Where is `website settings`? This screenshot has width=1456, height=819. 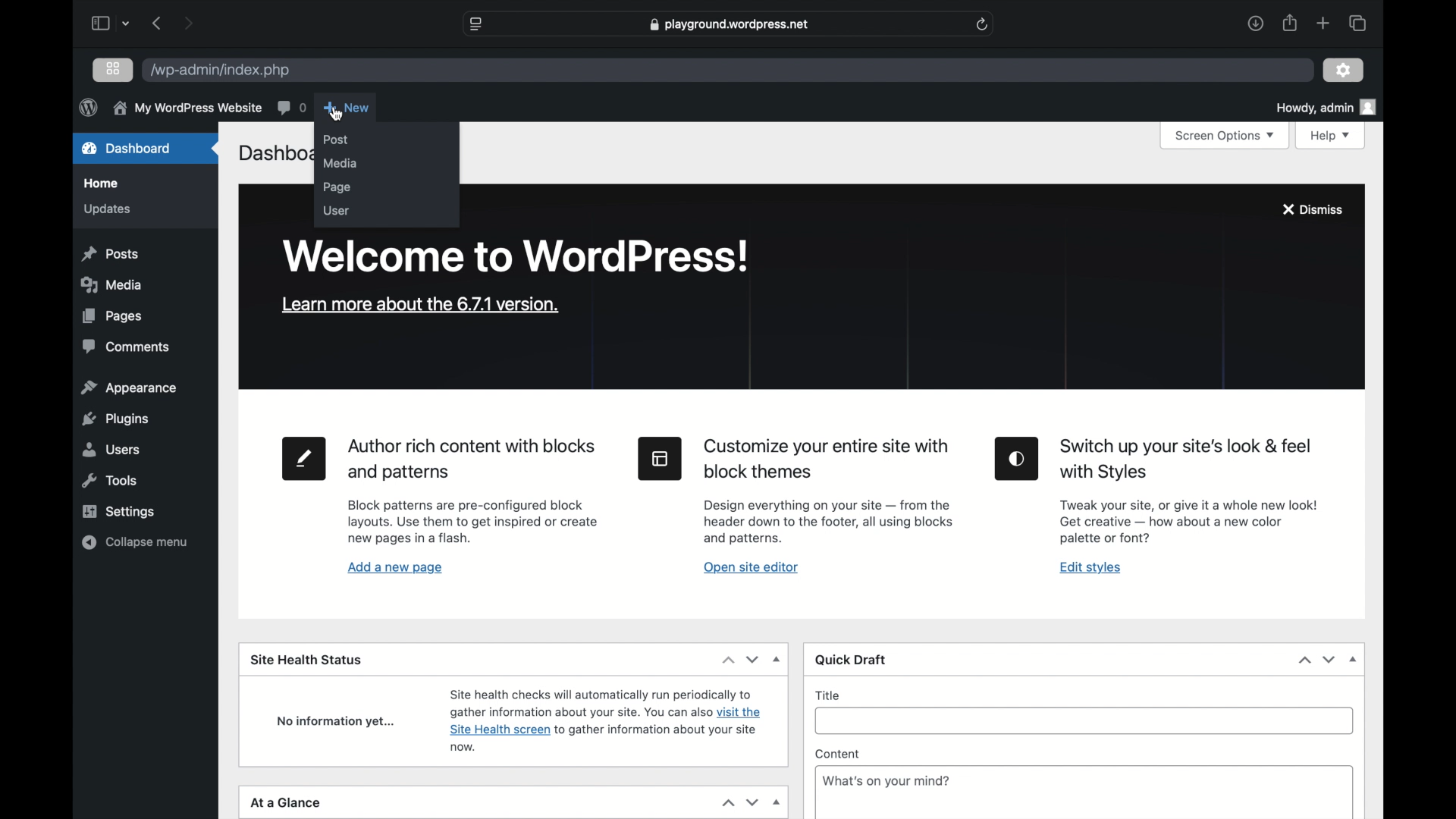
website settings is located at coordinates (478, 24).